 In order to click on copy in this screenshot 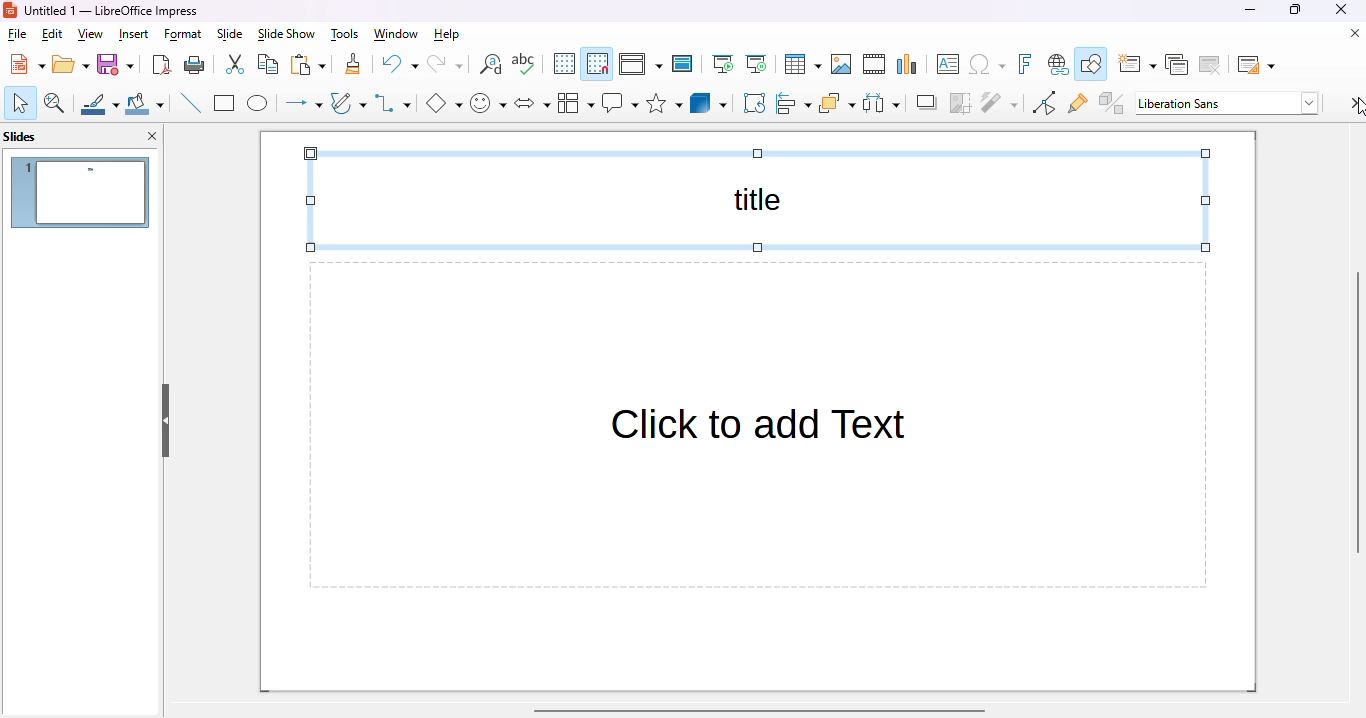, I will do `click(268, 64)`.